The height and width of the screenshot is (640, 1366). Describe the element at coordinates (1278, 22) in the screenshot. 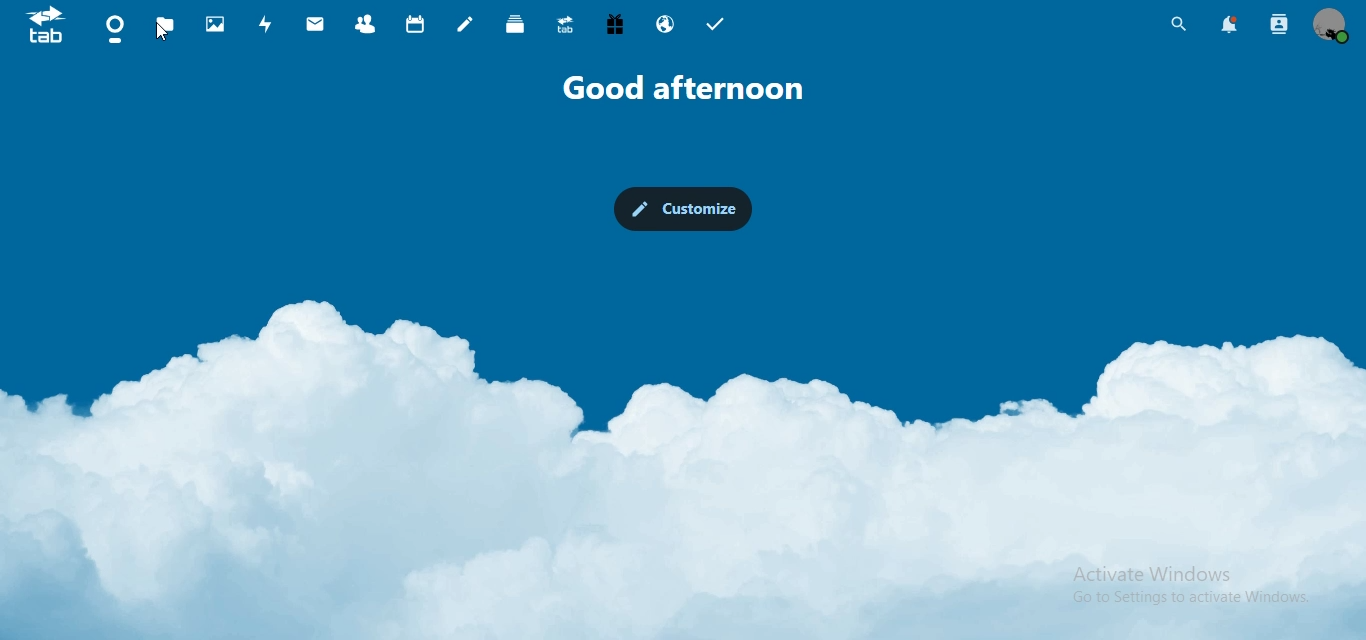

I see `search contacts` at that location.